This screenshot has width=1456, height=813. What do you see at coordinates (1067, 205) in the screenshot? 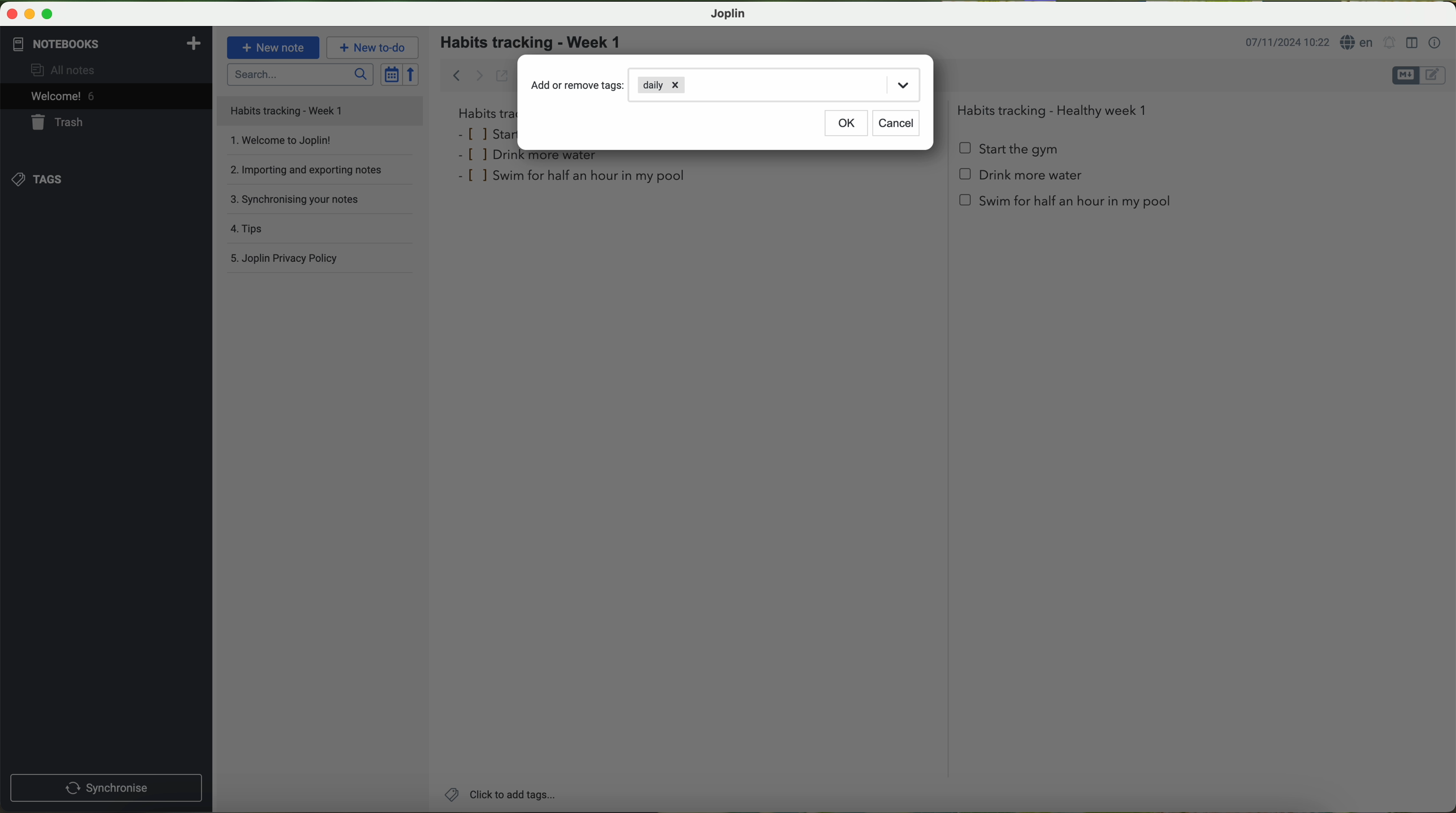
I see `swim for half an hour in my pool` at bounding box center [1067, 205].